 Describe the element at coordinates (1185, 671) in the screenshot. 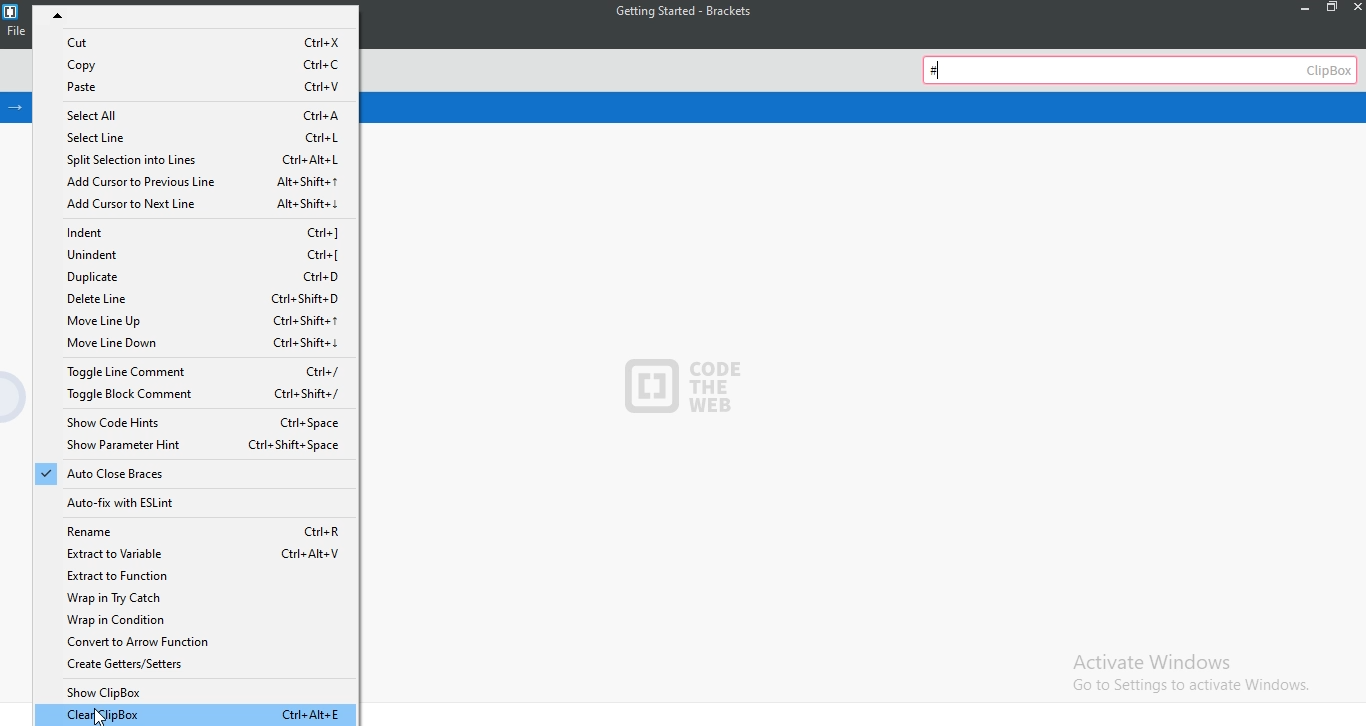

I see `Activate windows. Go to settings to activate windows` at that location.